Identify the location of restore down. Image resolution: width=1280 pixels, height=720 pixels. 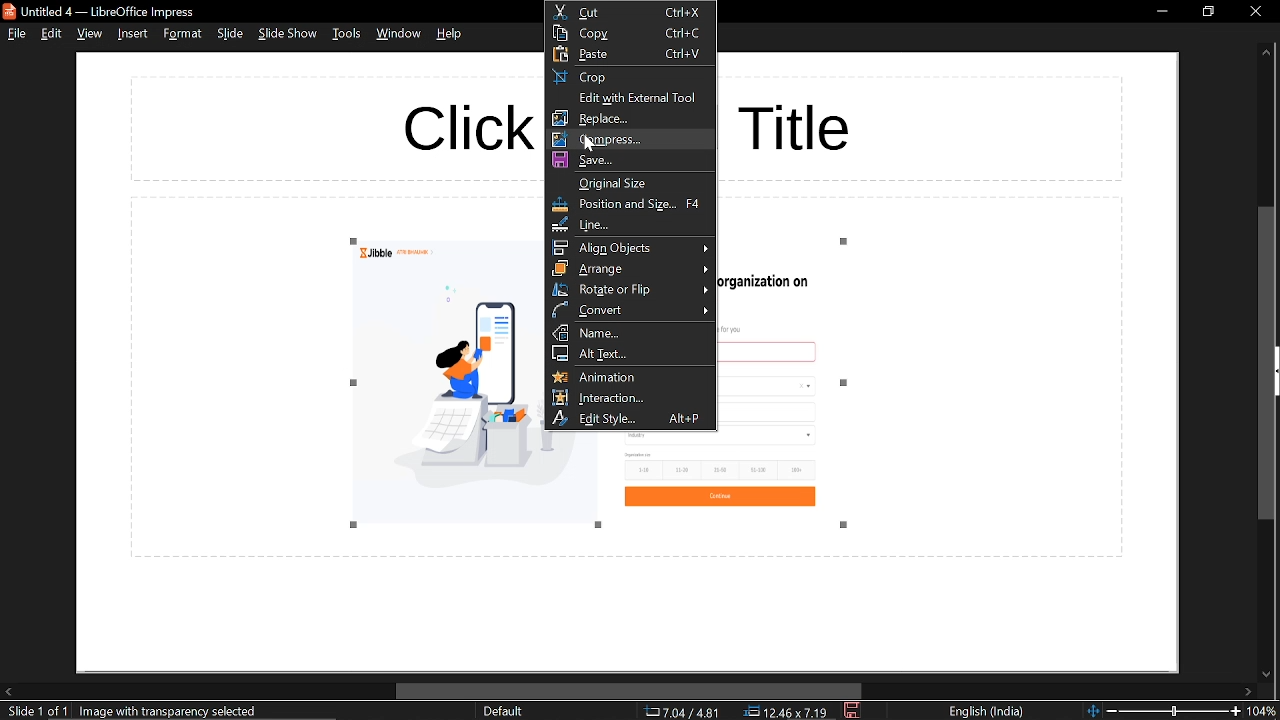
(1210, 12).